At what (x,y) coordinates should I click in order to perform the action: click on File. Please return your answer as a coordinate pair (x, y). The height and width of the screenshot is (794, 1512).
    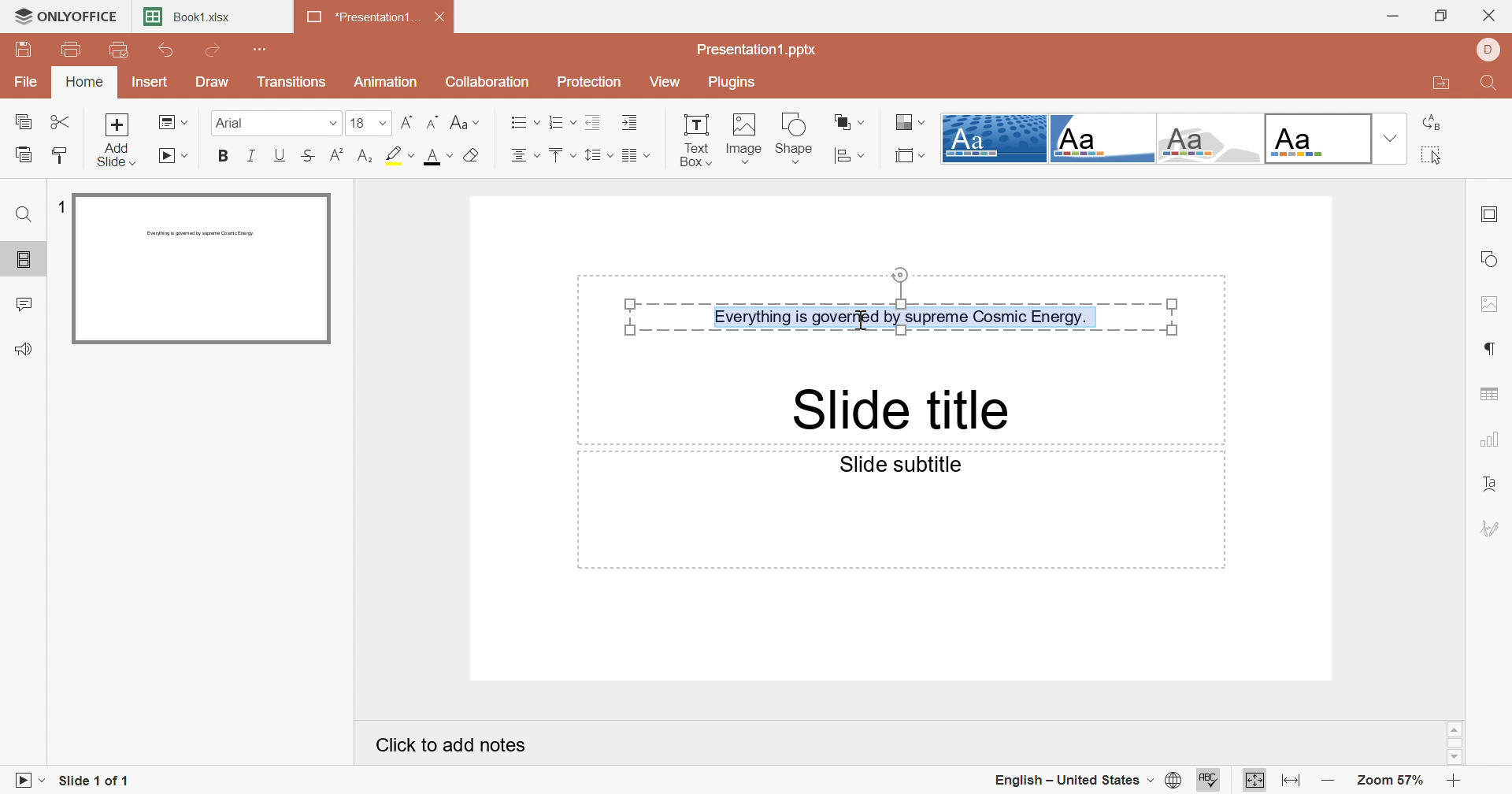
    Looking at the image, I should click on (24, 83).